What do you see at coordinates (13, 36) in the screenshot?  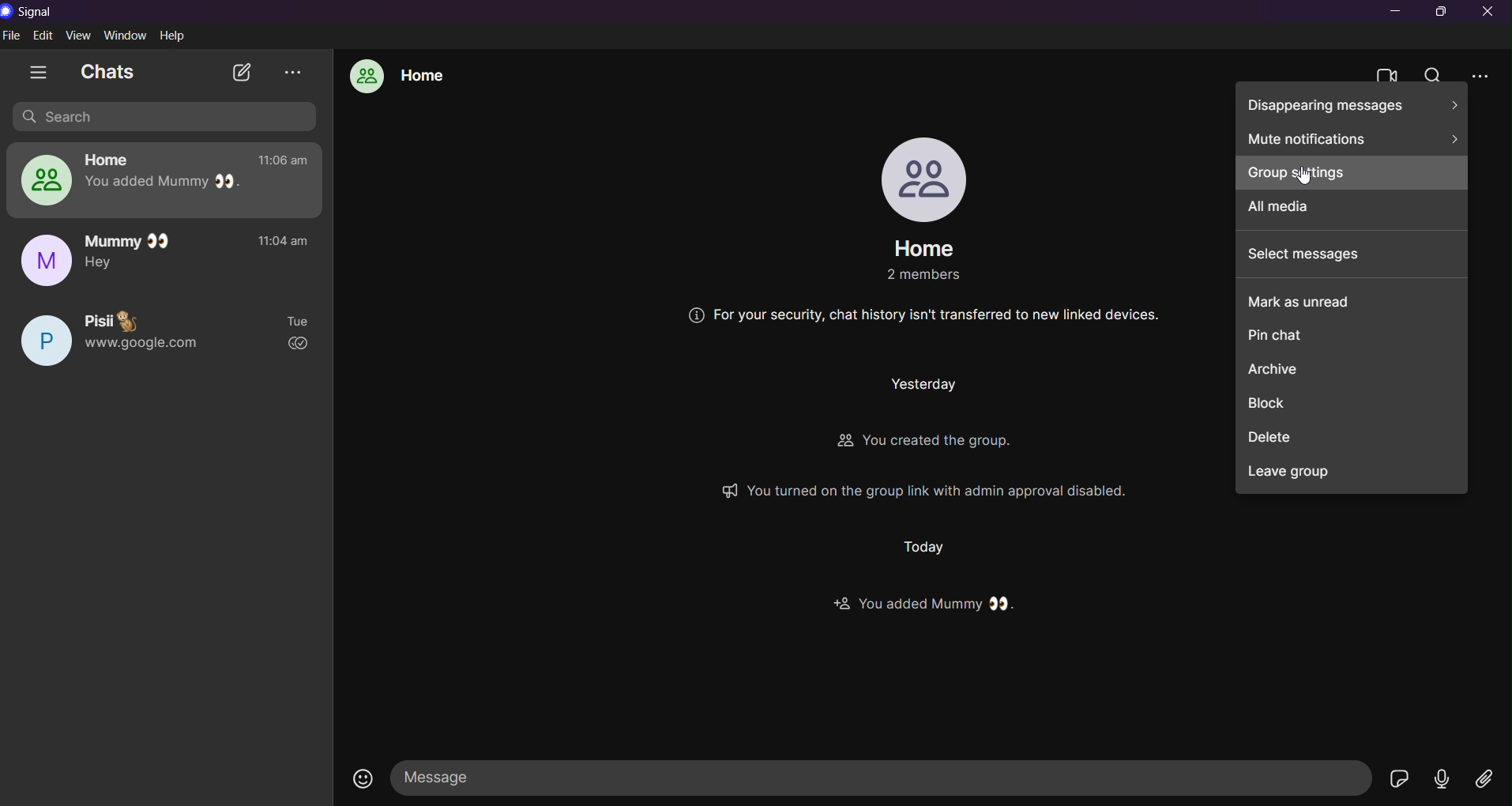 I see `file` at bounding box center [13, 36].